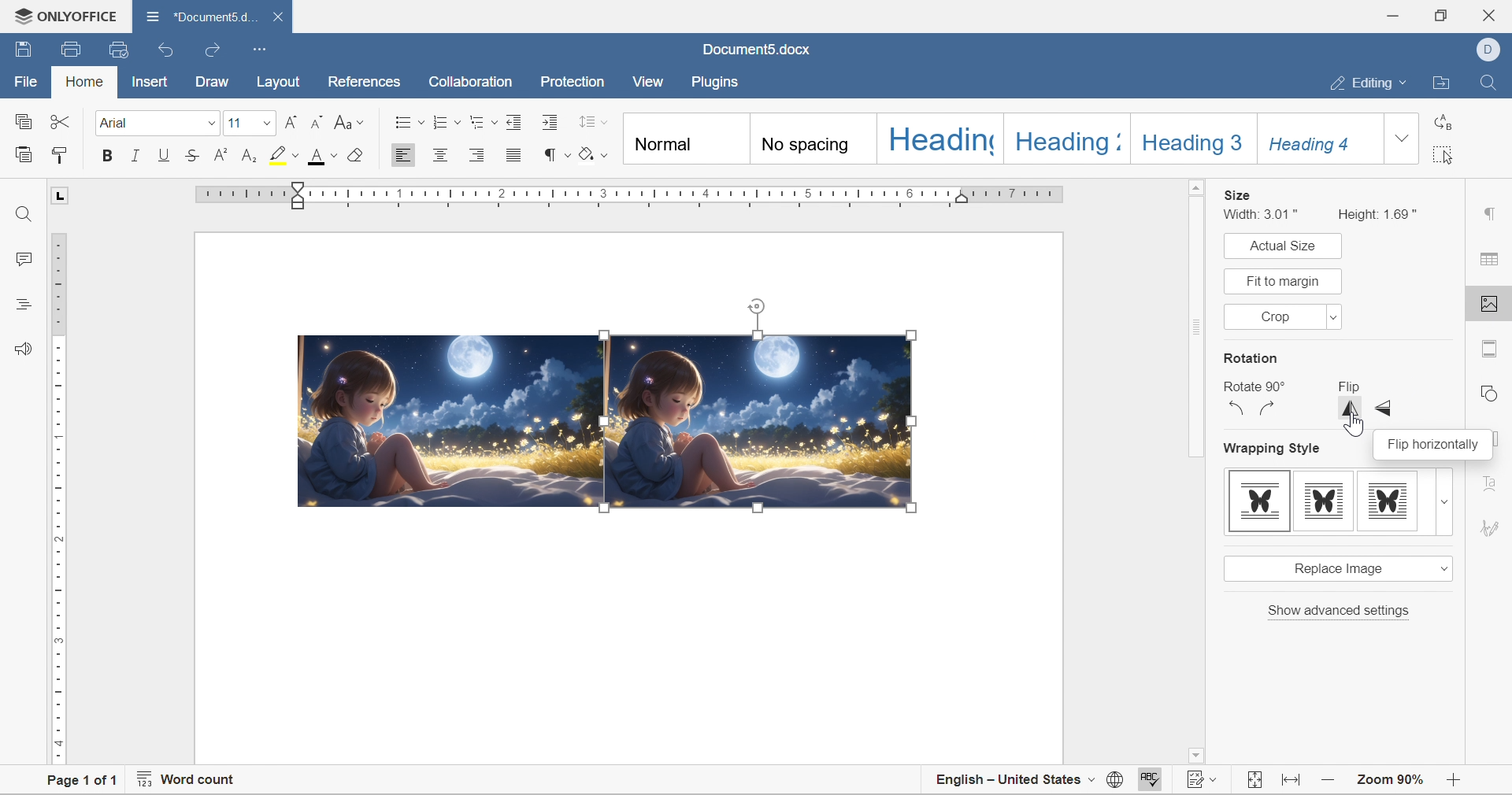 The height and width of the screenshot is (795, 1512). Describe the element at coordinates (515, 155) in the screenshot. I see `justified` at that location.